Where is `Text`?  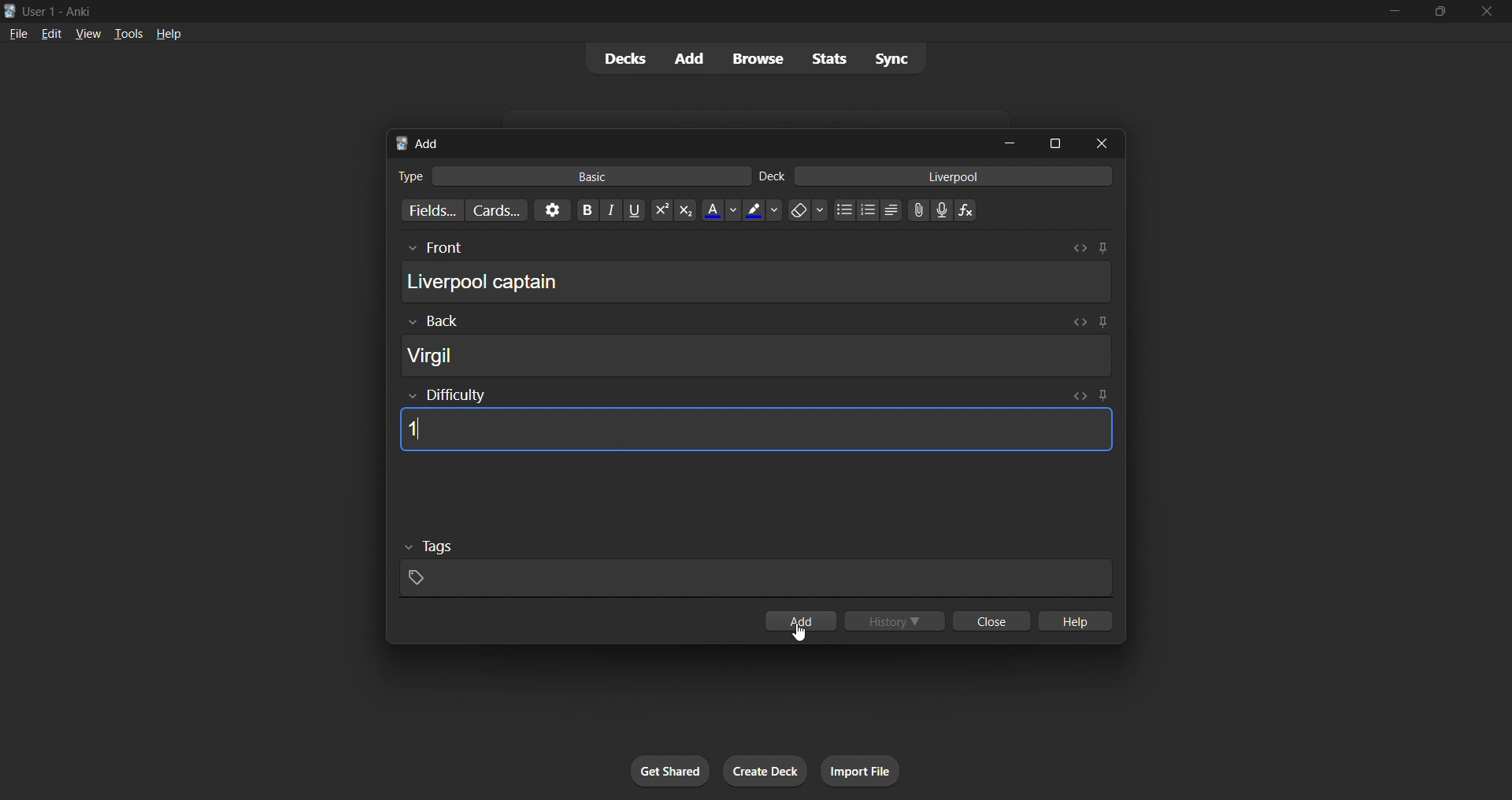 Text is located at coordinates (409, 176).